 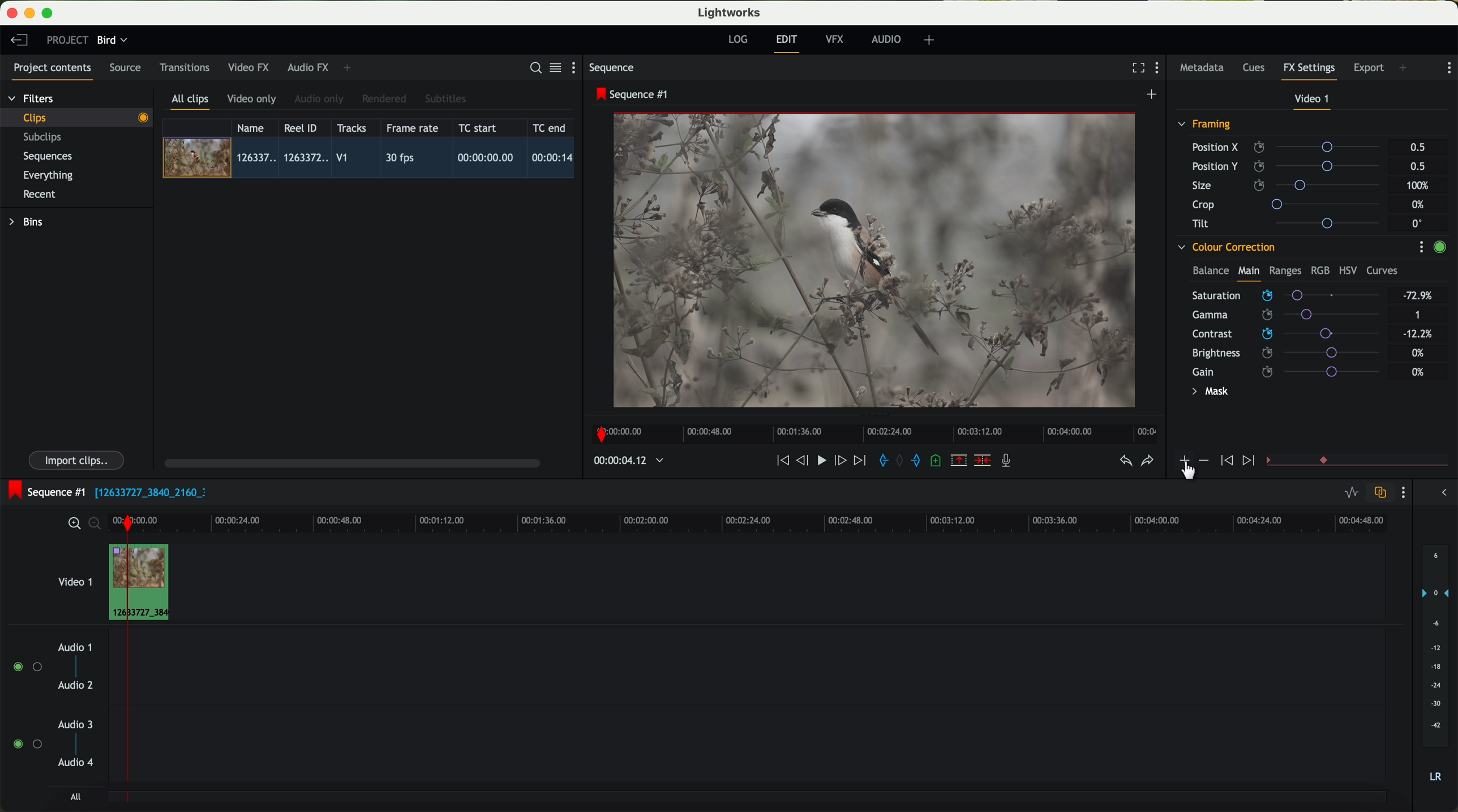 What do you see at coordinates (1250, 461) in the screenshot?
I see `icon` at bounding box center [1250, 461].